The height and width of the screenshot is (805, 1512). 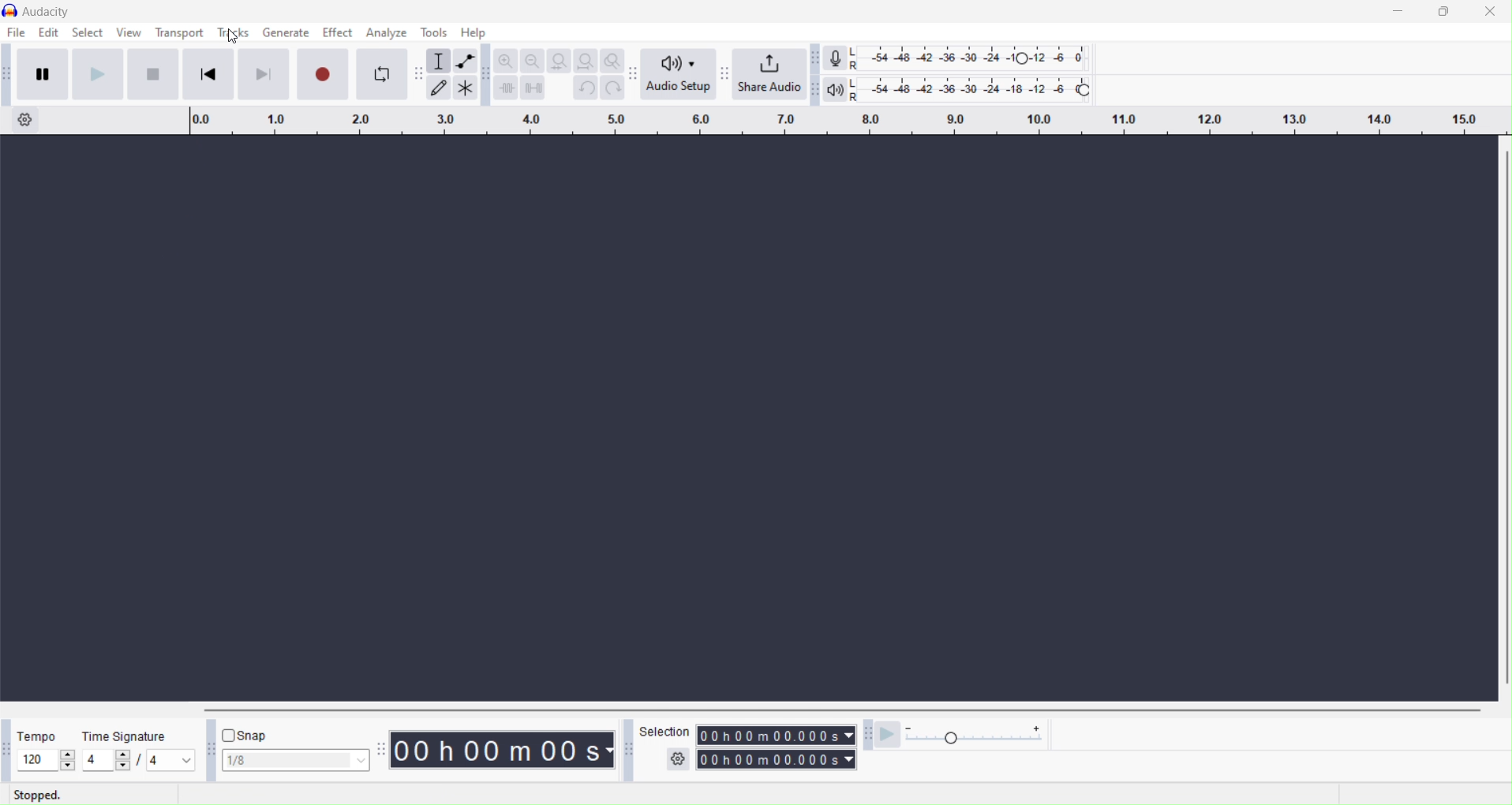 What do you see at coordinates (208, 750) in the screenshot?
I see `Audacity snapping tool` at bounding box center [208, 750].